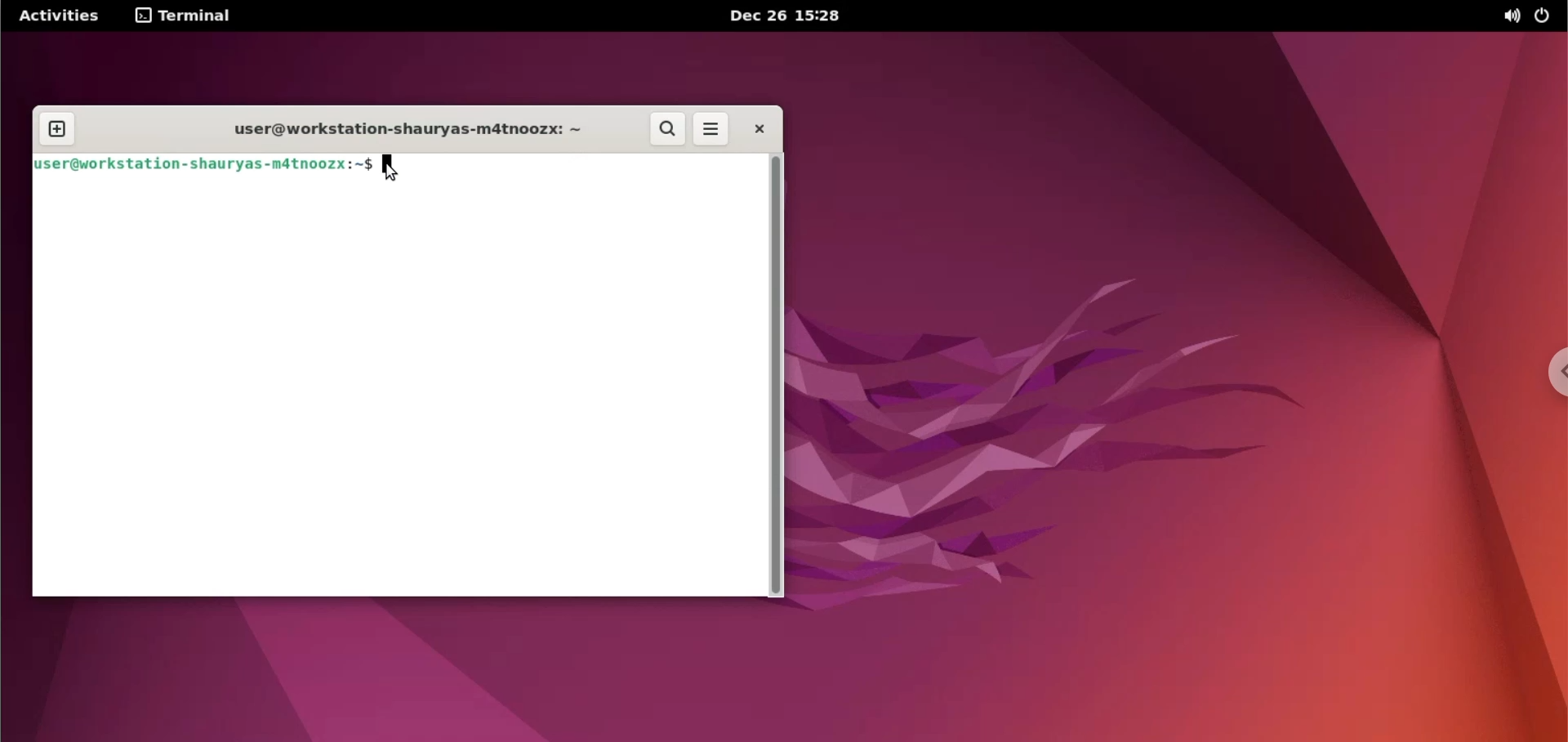 The image size is (1568, 742). Describe the element at coordinates (60, 129) in the screenshot. I see `new tab` at that location.